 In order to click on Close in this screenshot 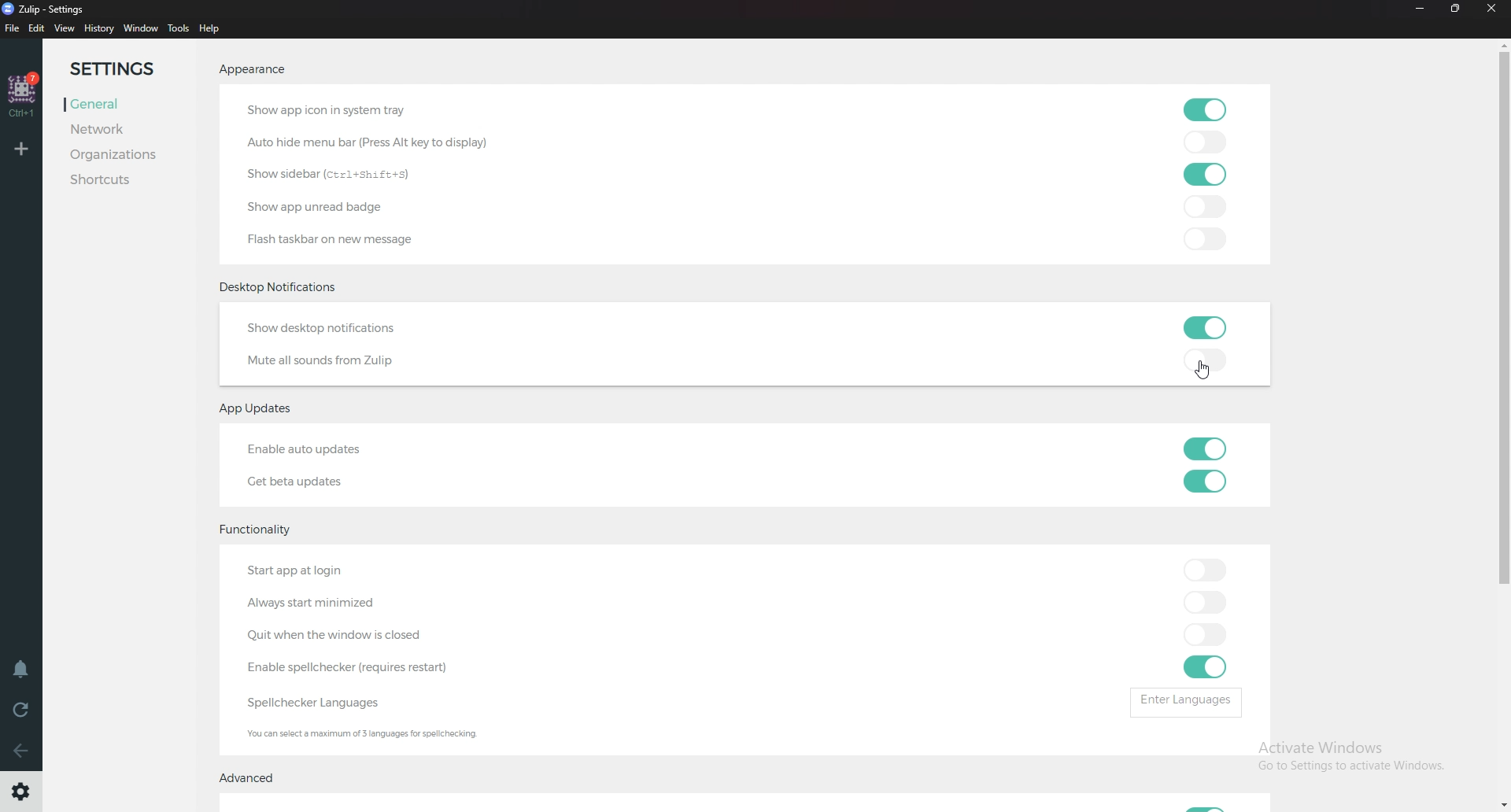, I will do `click(1492, 10)`.